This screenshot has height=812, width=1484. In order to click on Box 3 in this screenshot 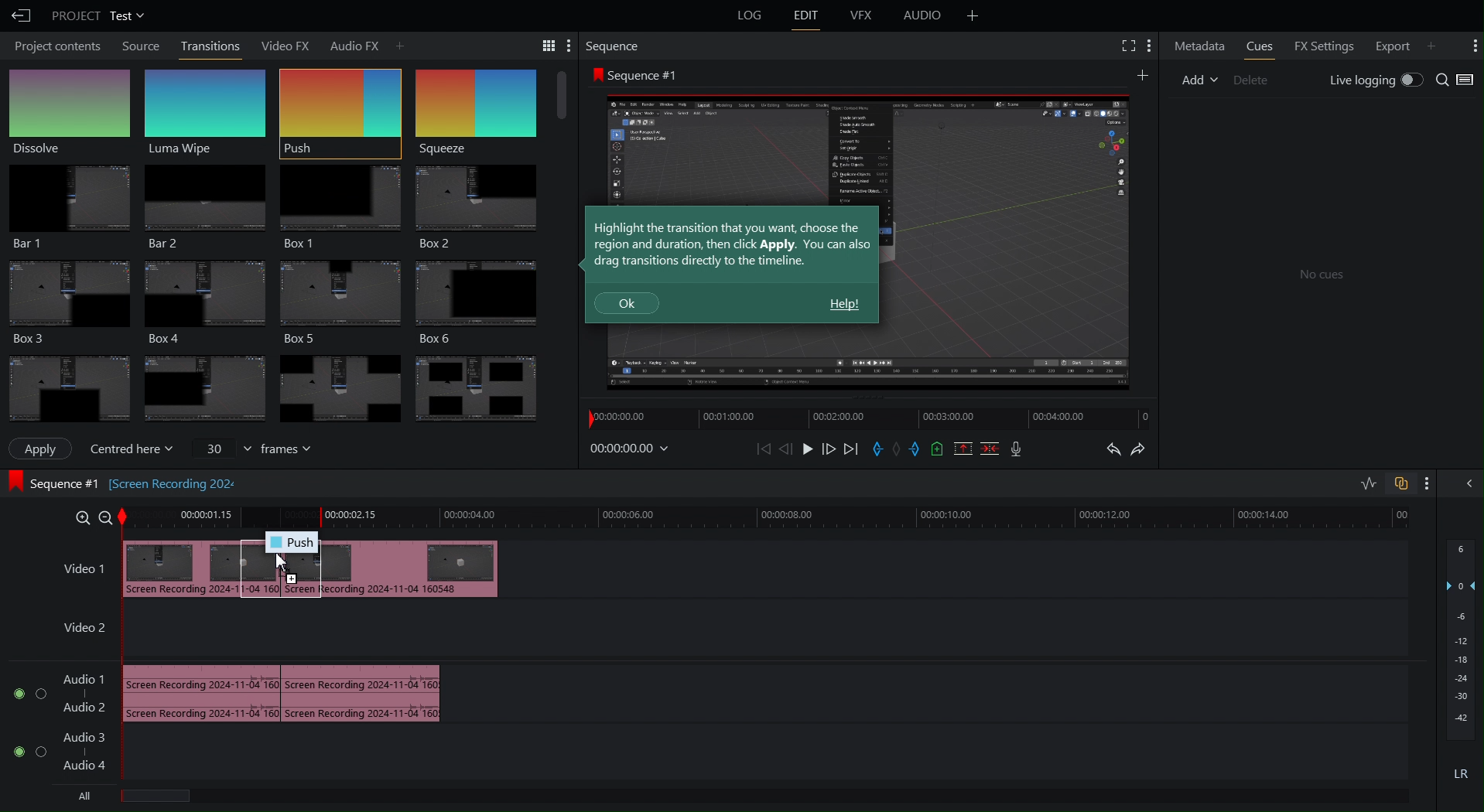, I will do `click(66, 301)`.